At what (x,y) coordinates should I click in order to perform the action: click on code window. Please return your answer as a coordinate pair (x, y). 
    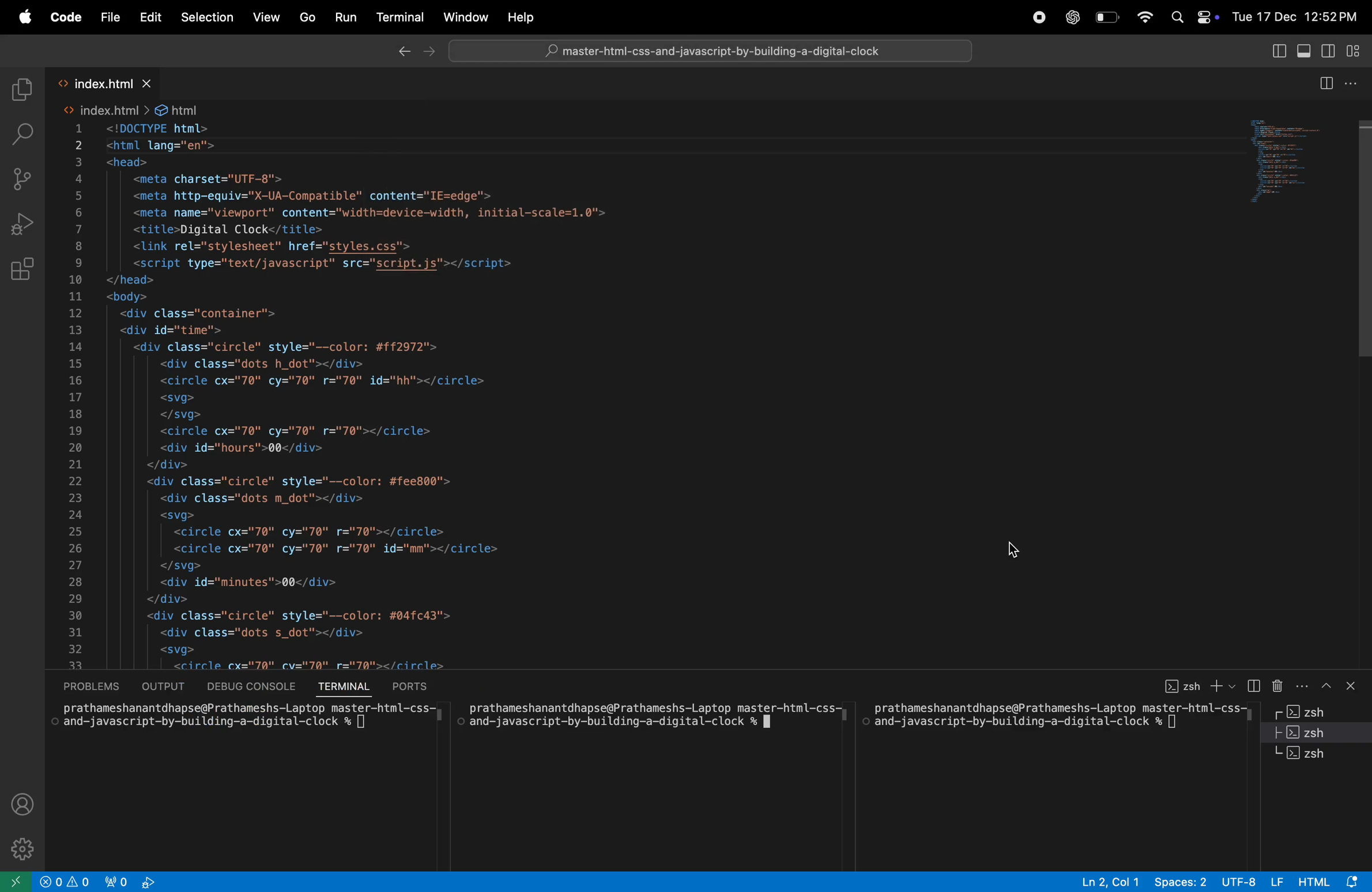
    Looking at the image, I should click on (1292, 164).